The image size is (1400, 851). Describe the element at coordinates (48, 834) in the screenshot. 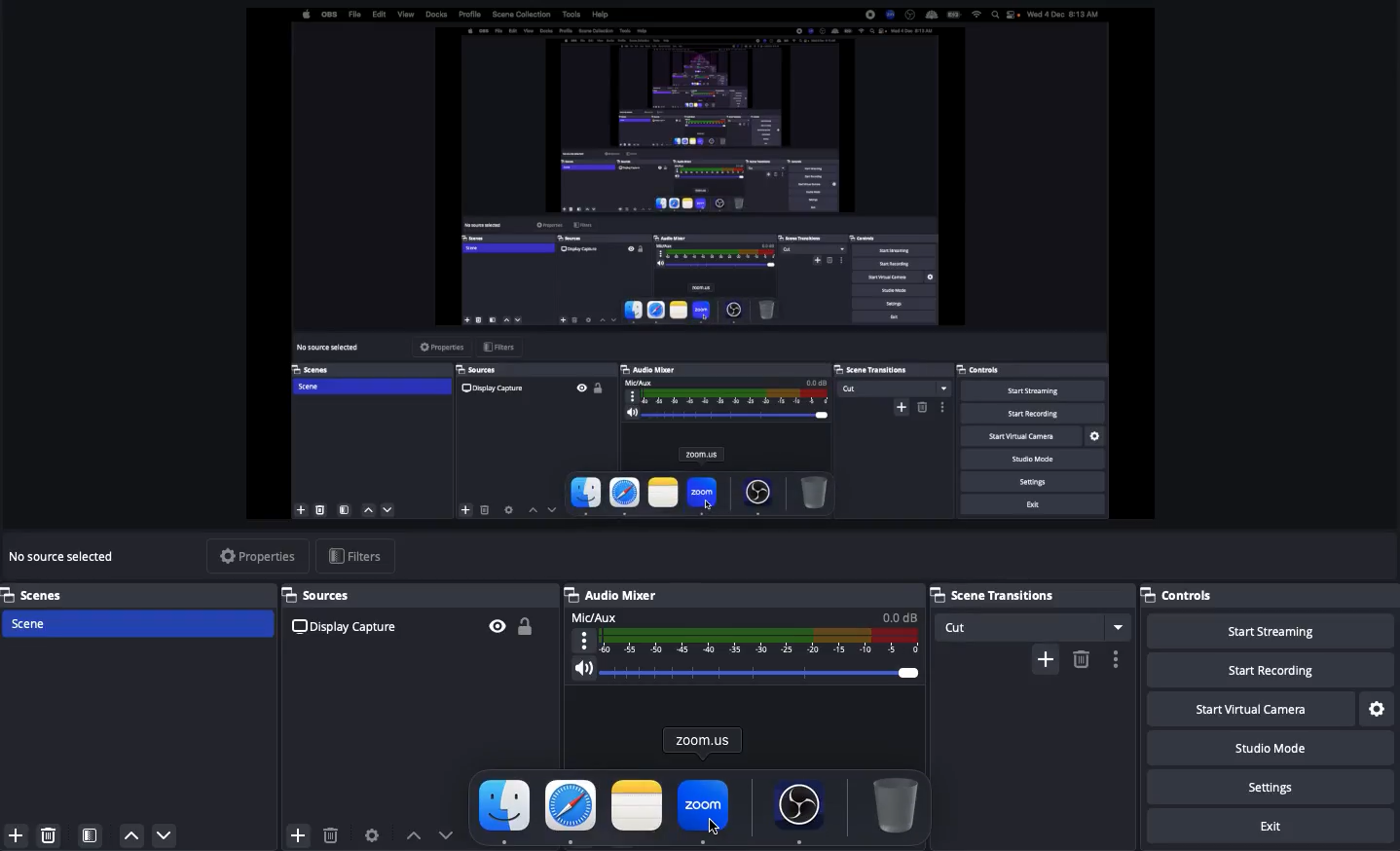

I see `Remove` at that location.